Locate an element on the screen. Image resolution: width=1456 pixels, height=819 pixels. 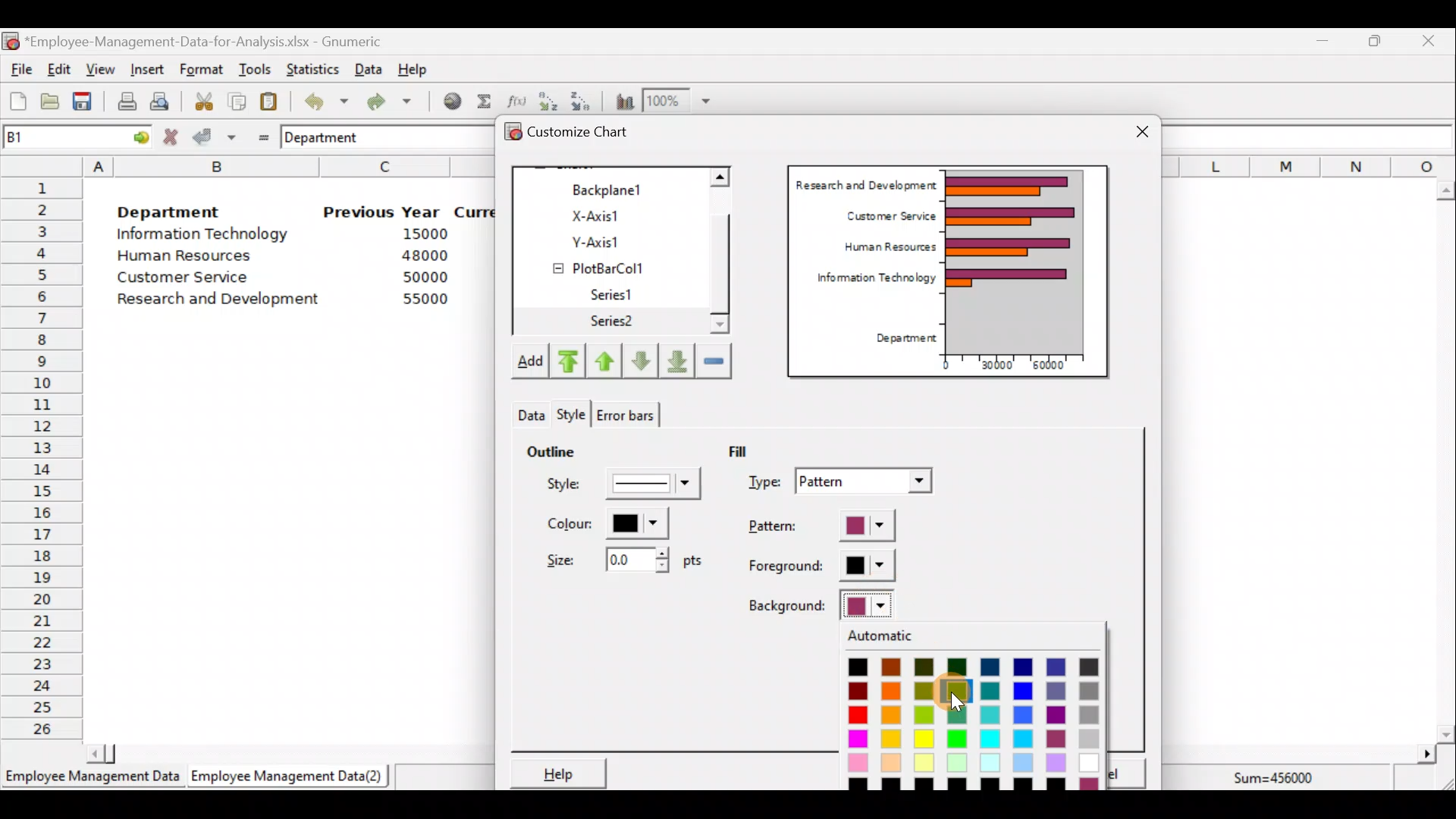
Error bars is located at coordinates (625, 412).